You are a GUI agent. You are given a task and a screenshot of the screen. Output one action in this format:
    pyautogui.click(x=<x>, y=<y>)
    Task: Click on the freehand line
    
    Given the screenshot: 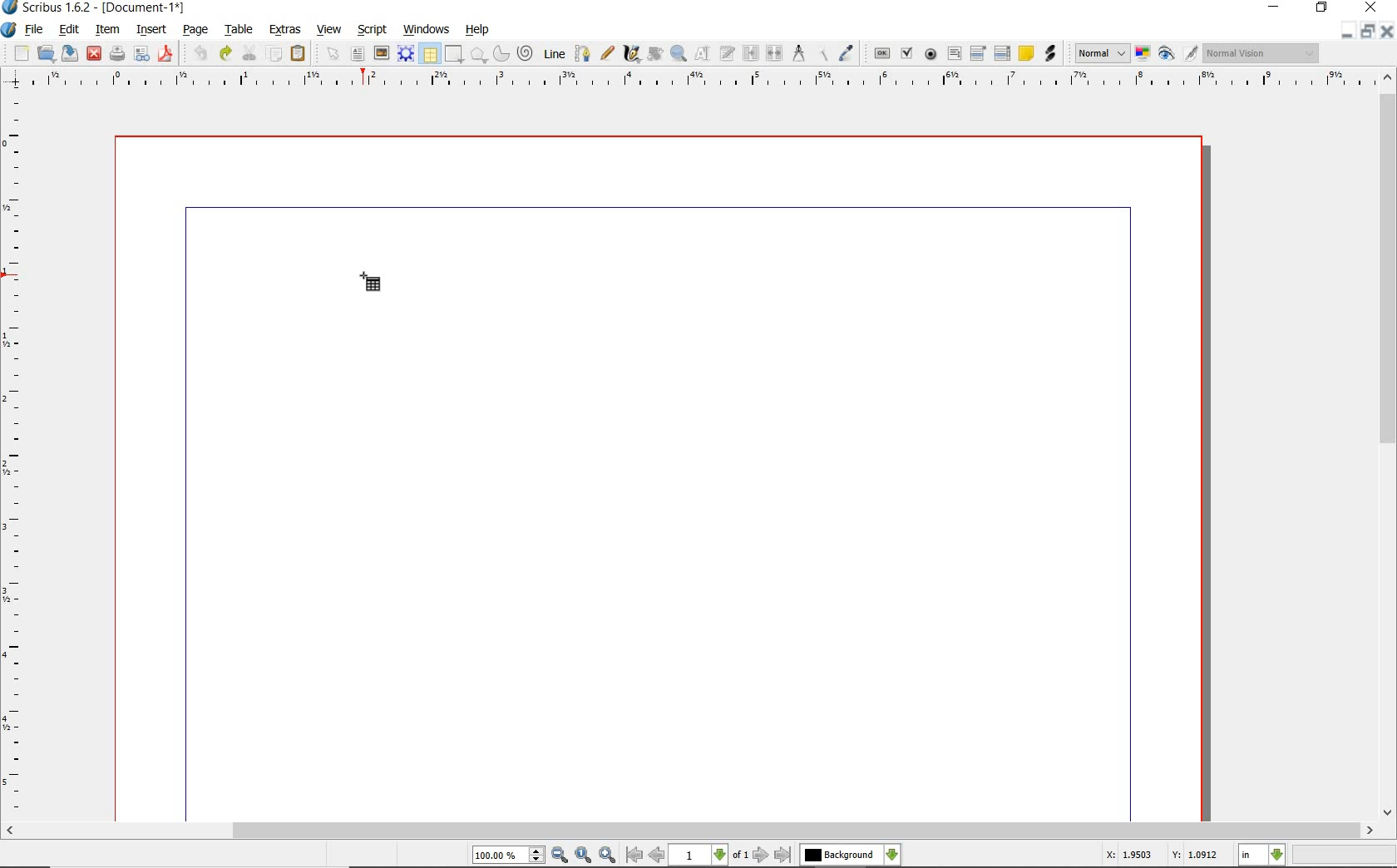 What is the action you would take?
    pyautogui.click(x=609, y=54)
    